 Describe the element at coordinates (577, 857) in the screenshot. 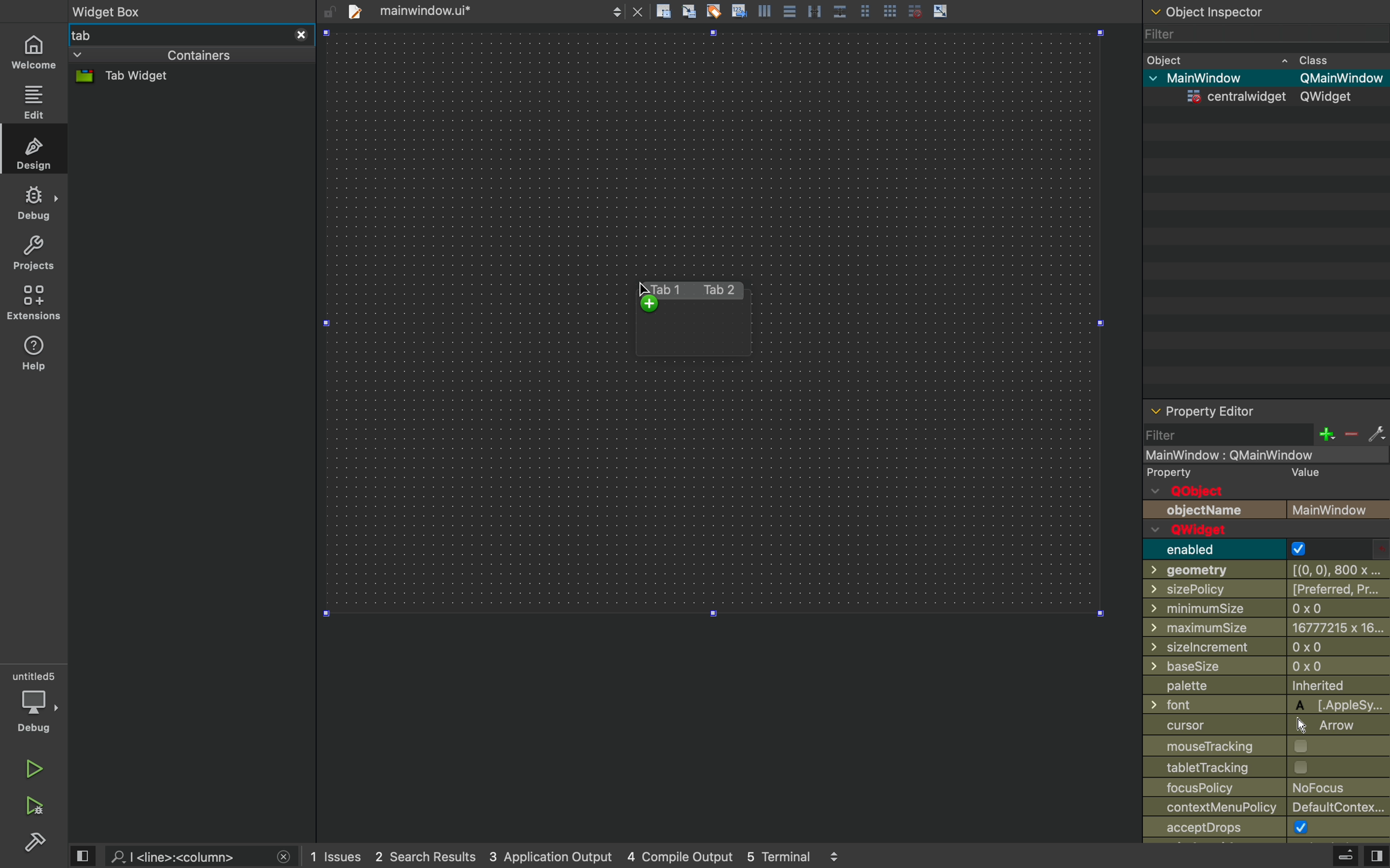

I see `logs` at that location.